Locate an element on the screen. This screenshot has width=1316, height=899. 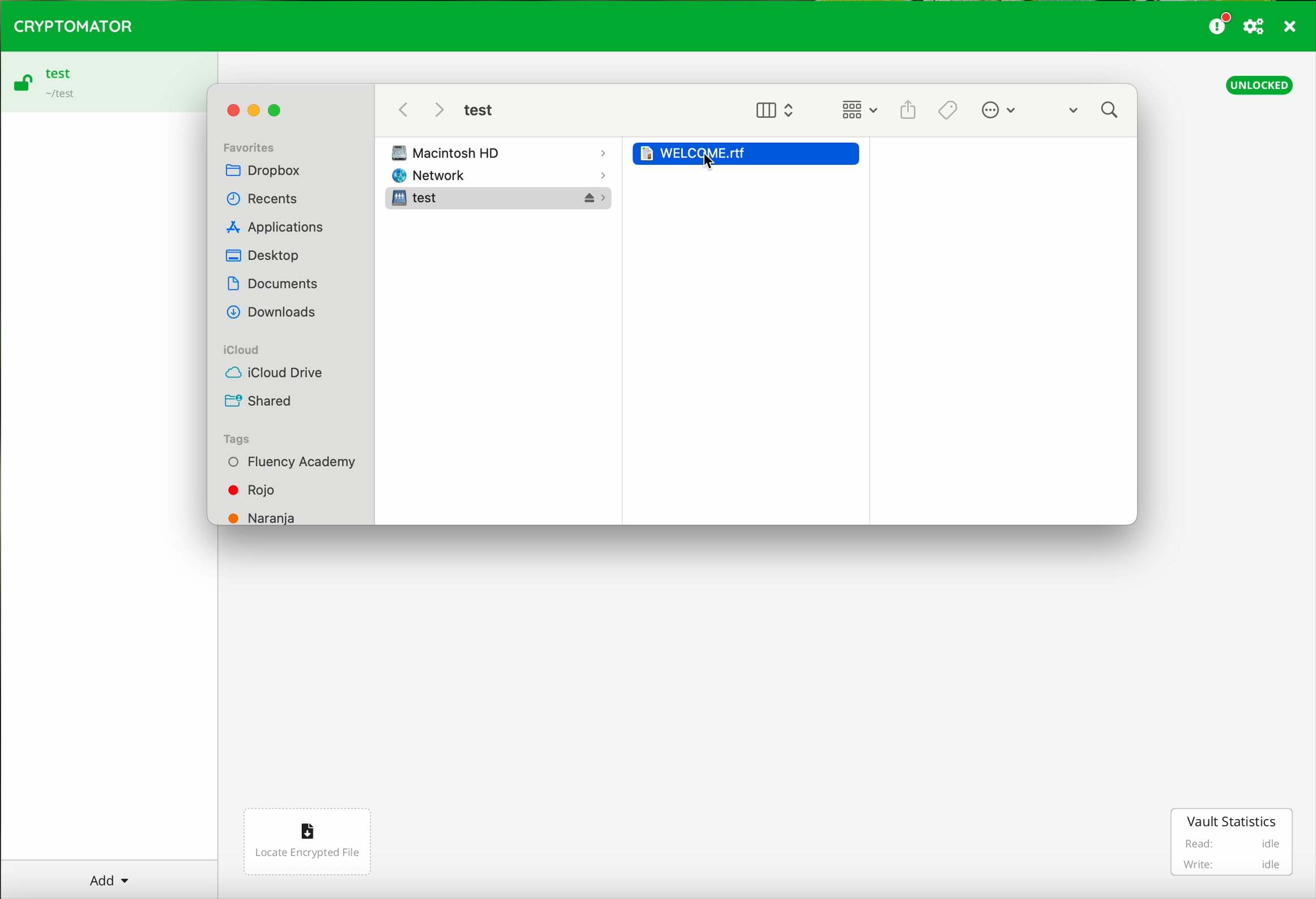
iCloud Drive is located at coordinates (274, 372).